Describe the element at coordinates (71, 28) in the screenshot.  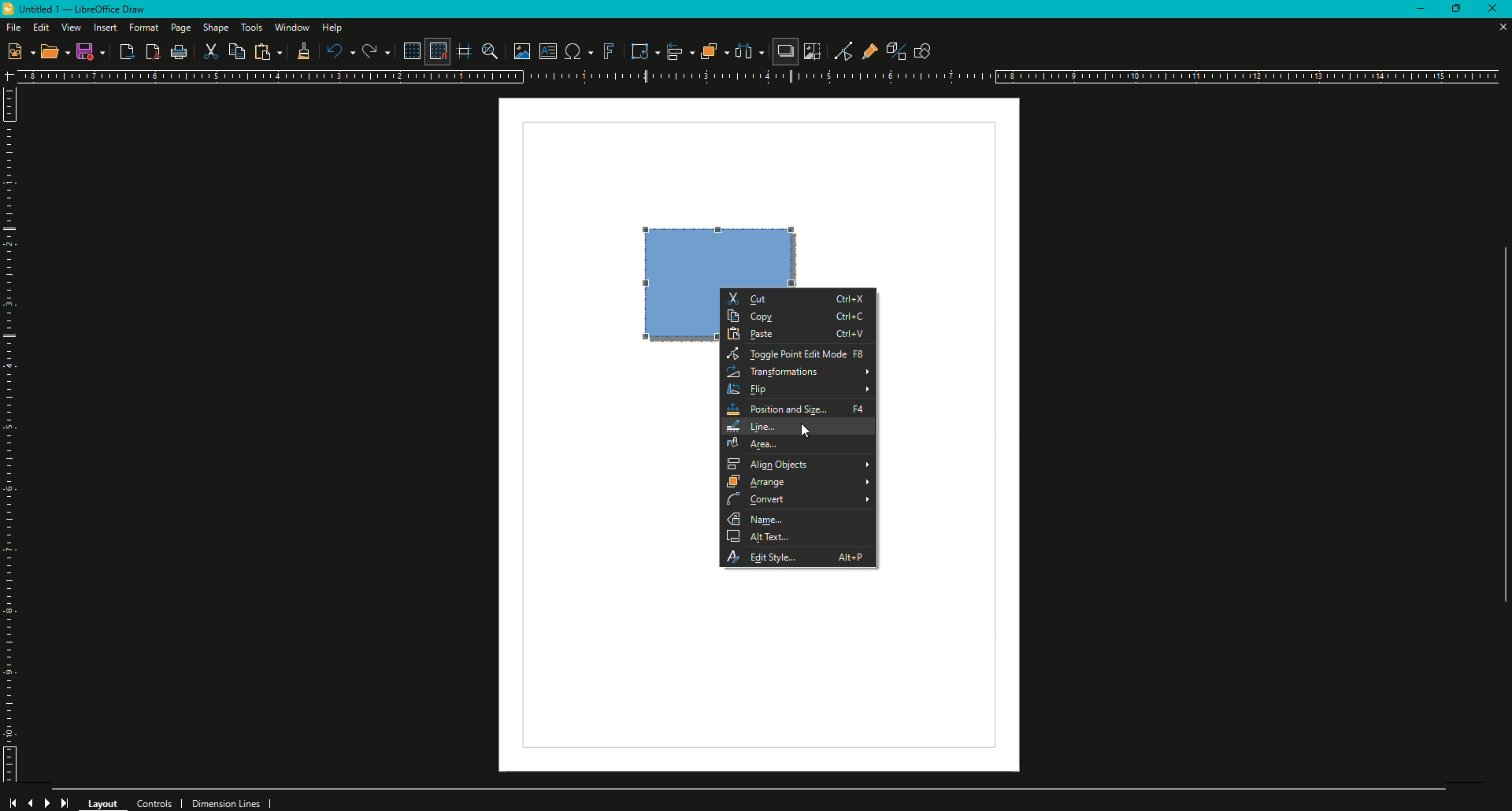
I see `View` at that location.